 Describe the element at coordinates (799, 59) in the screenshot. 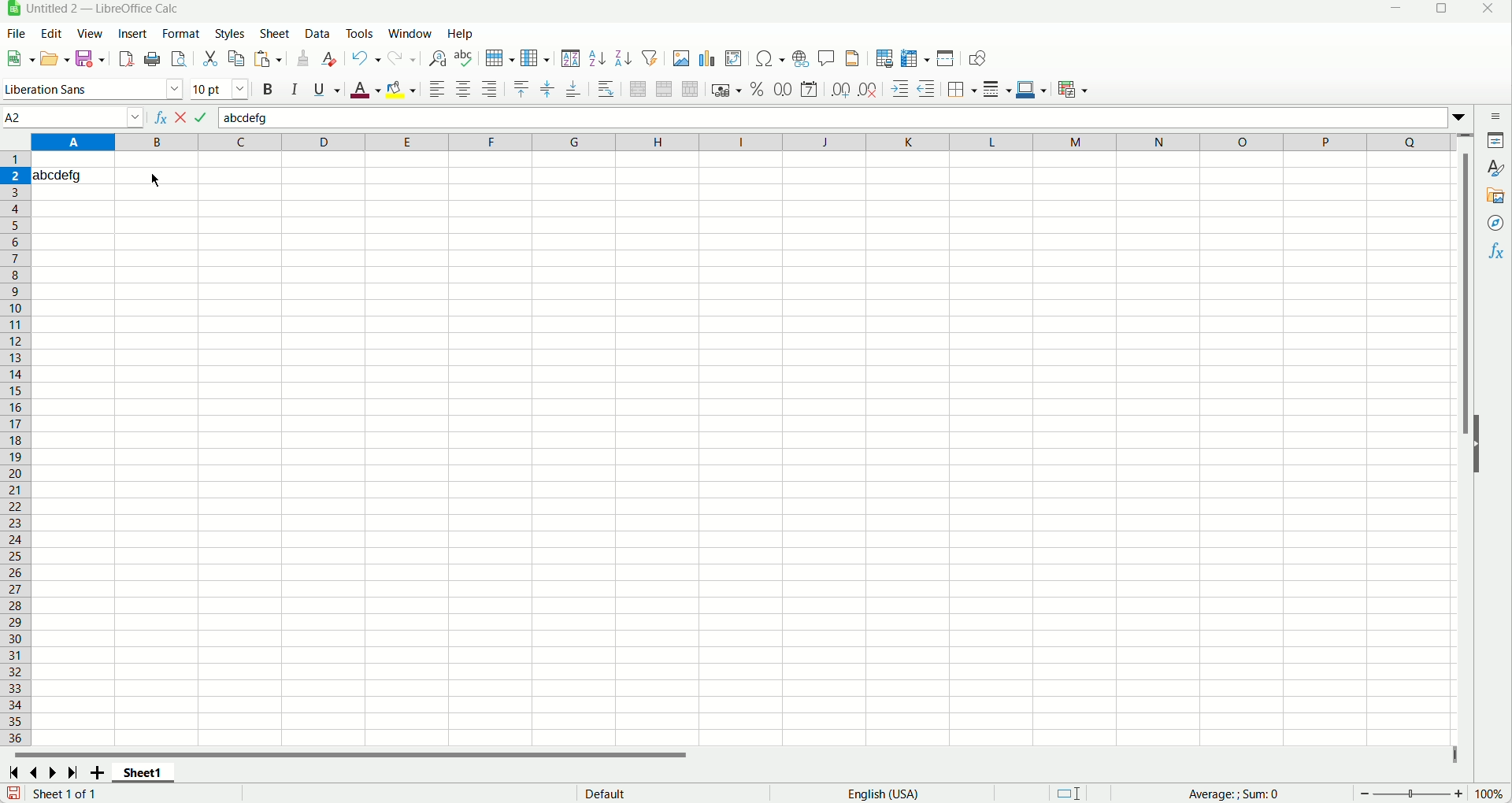

I see `insert hyperlink` at that location.